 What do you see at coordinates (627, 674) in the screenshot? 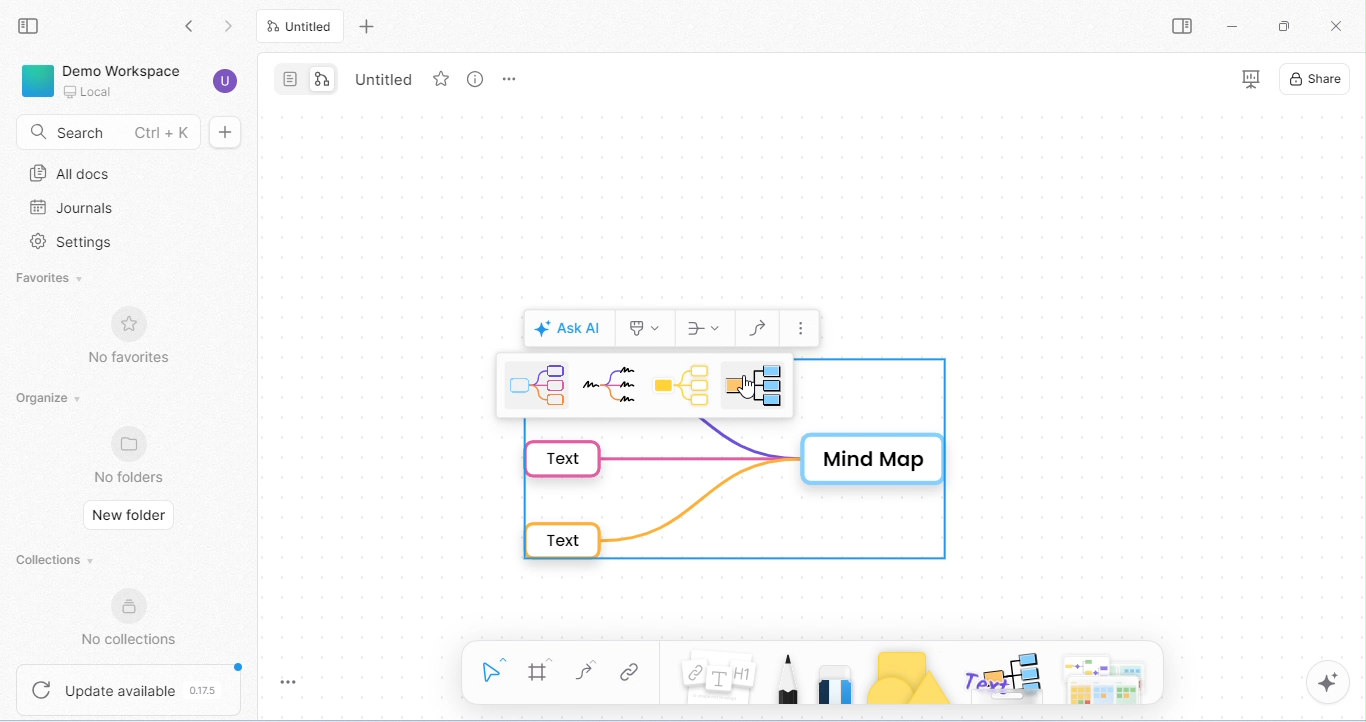
I see `link` at bounding box center [627, 674].